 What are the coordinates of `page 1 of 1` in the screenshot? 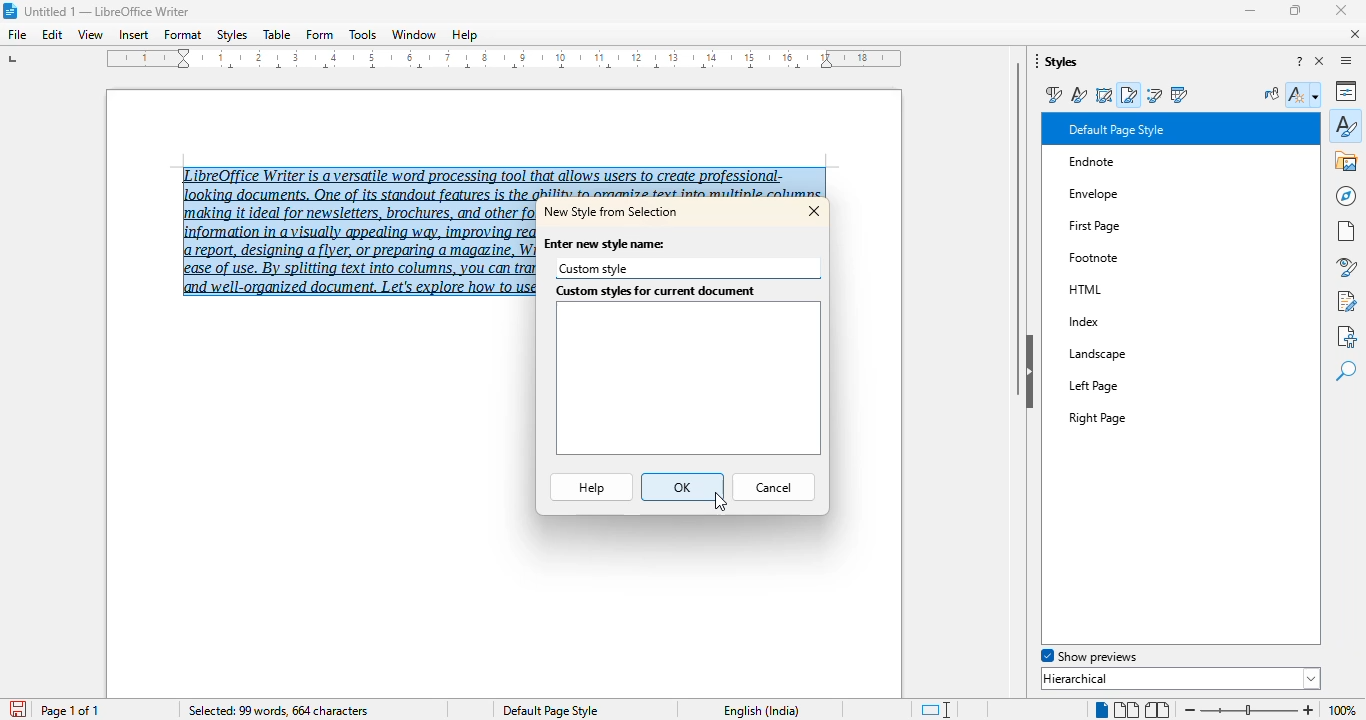 It's located at (71, 711).